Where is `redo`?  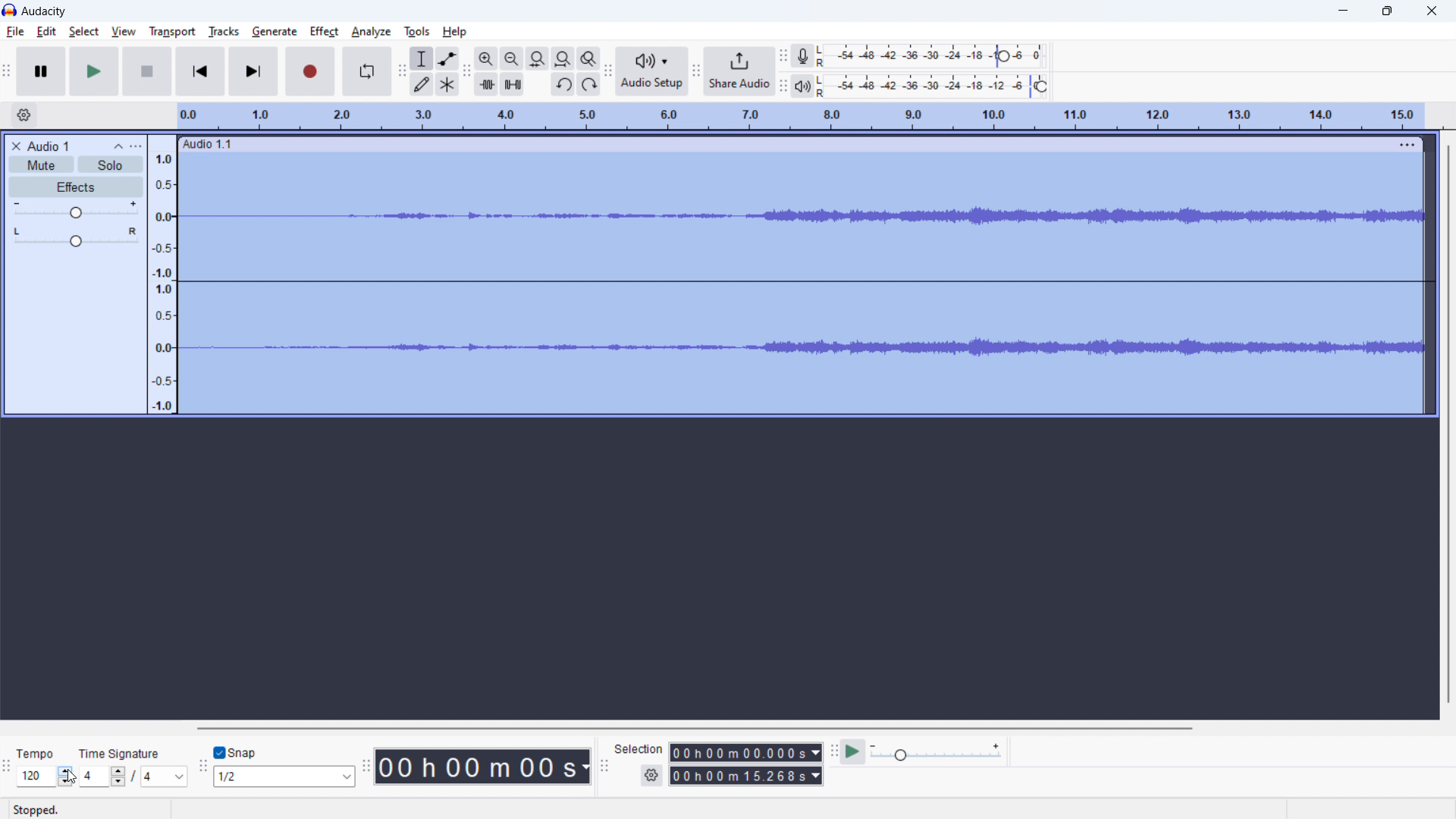
redo is located at coordinates (588, 84).